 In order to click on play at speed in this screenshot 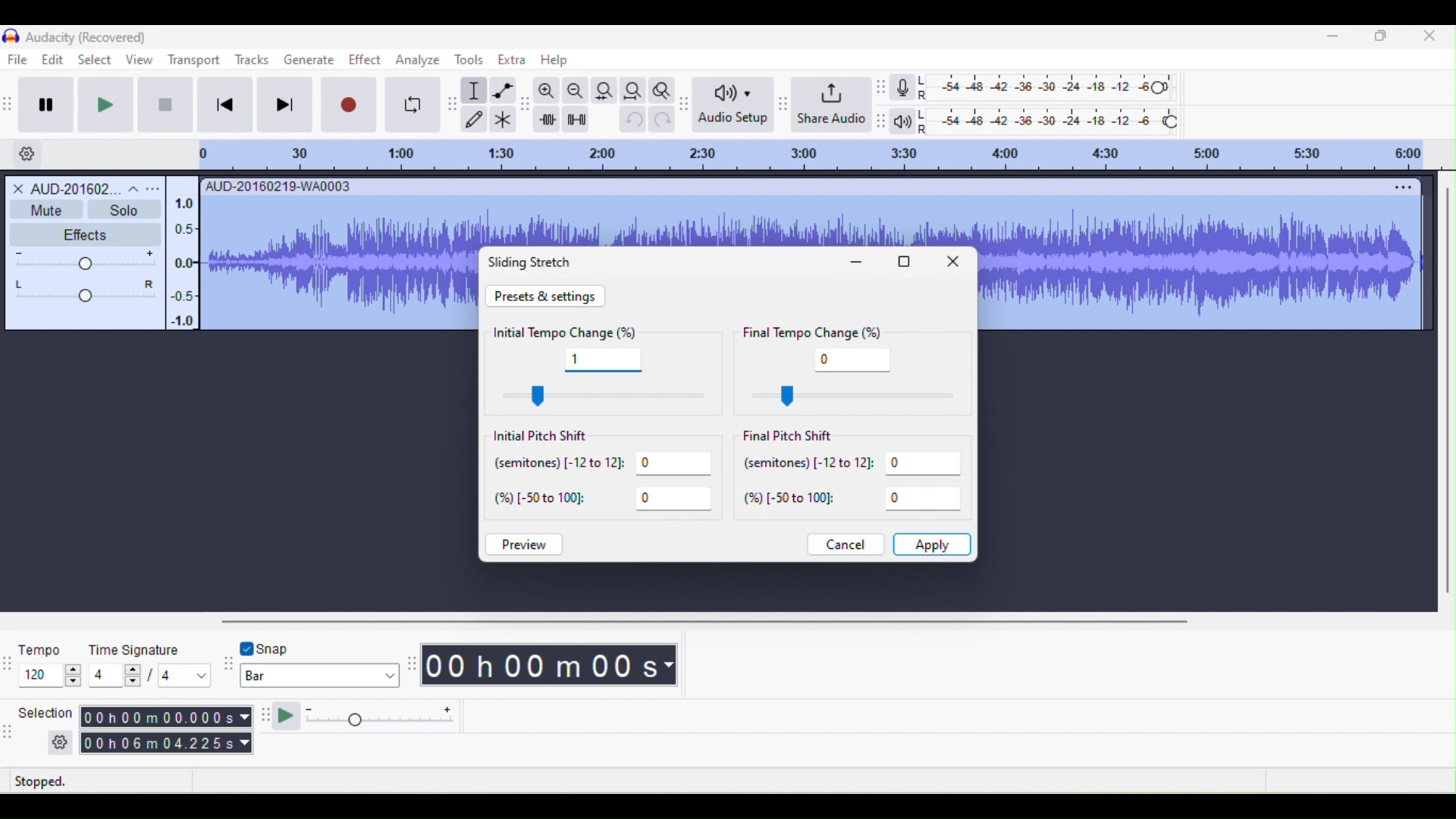, I will do `click(375, 718)`.